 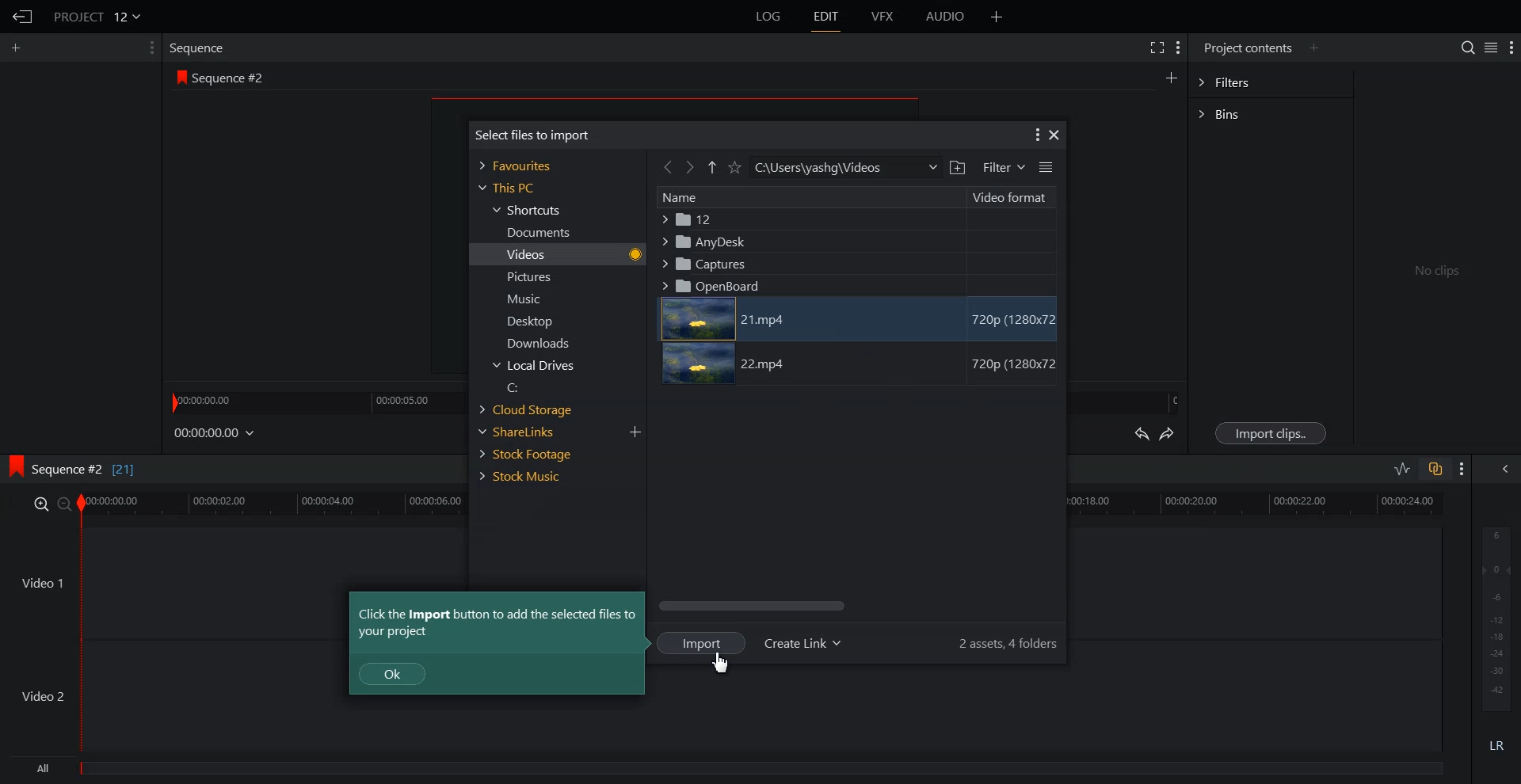 I want to click on Slider, so click(x=310, y=401).